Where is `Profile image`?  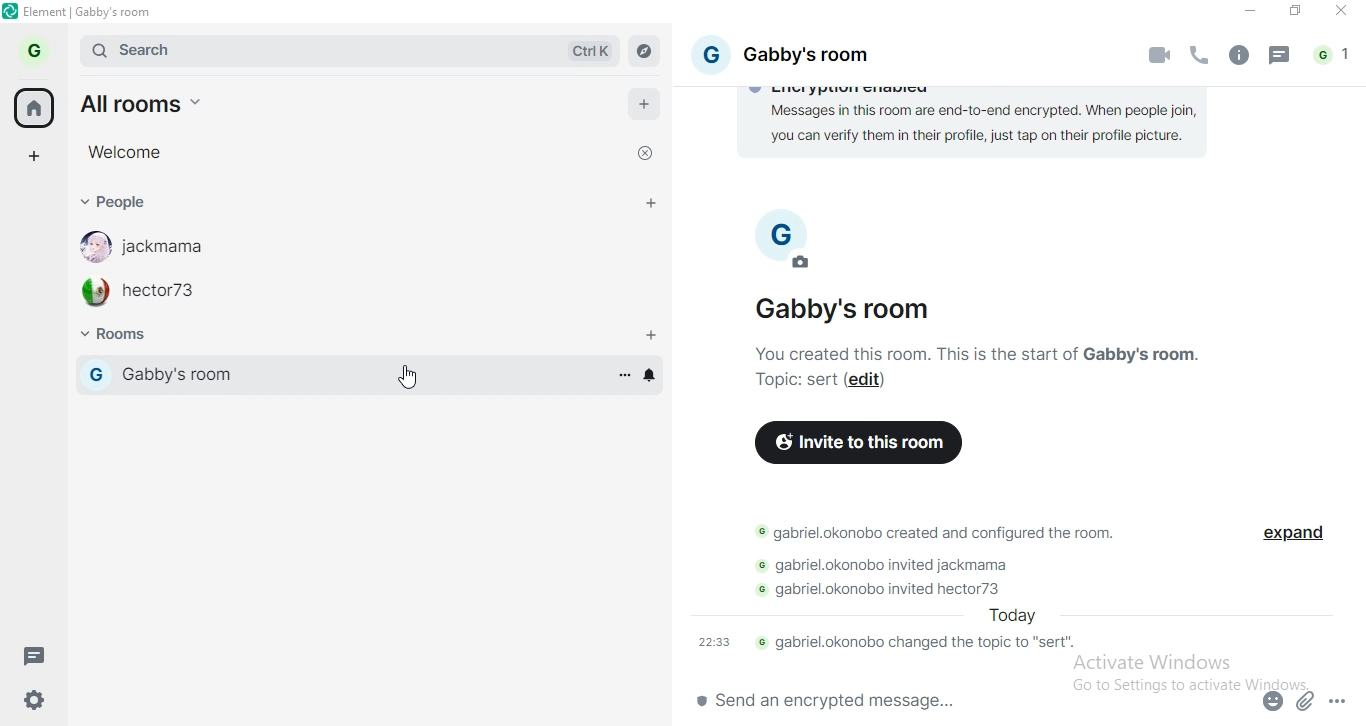
Profile image is located at coordinates (93, 292).